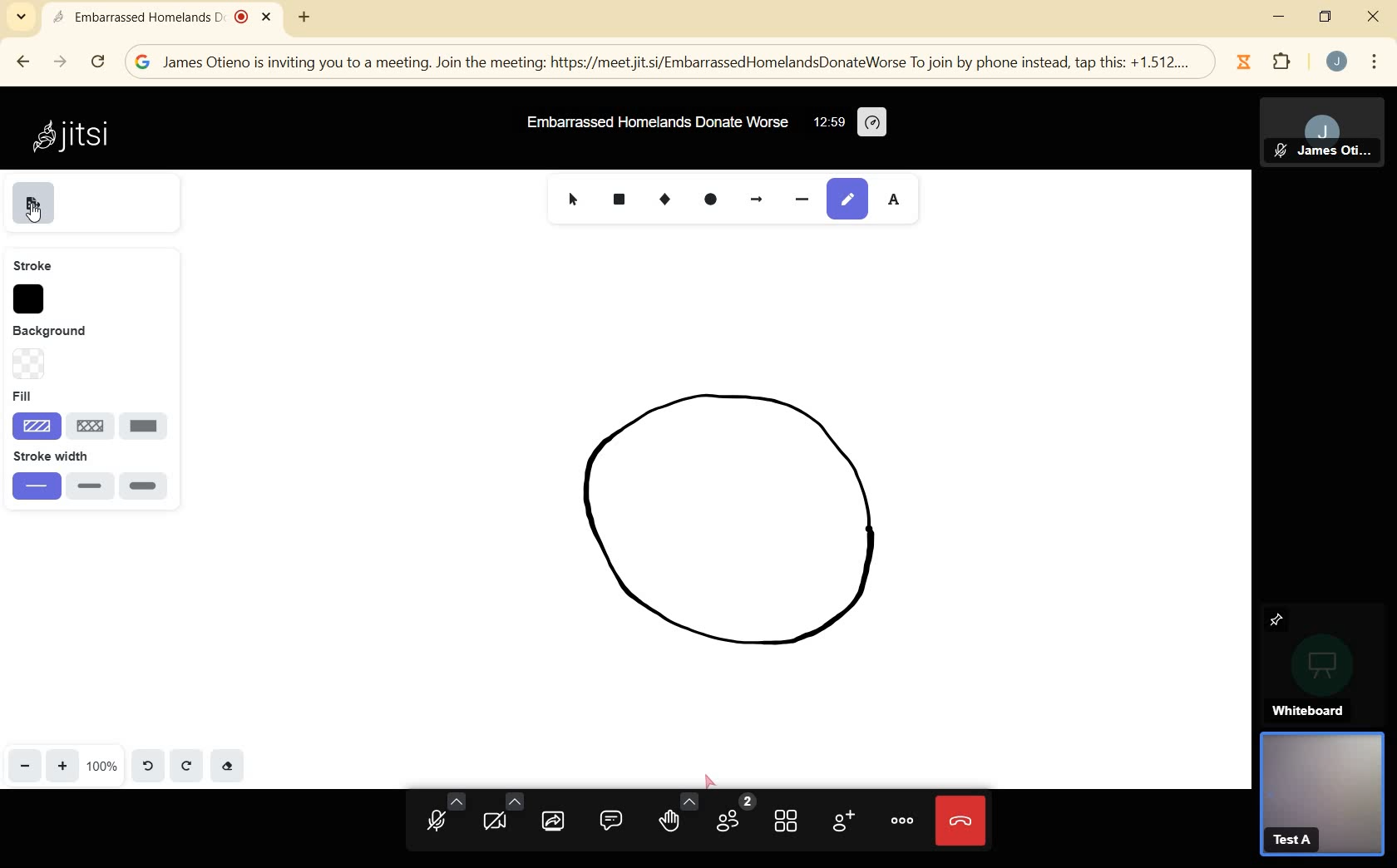  What do you see at coordinates (442, 815) in the screenshot?
I see `microphone` at bounding box center [442, 815].